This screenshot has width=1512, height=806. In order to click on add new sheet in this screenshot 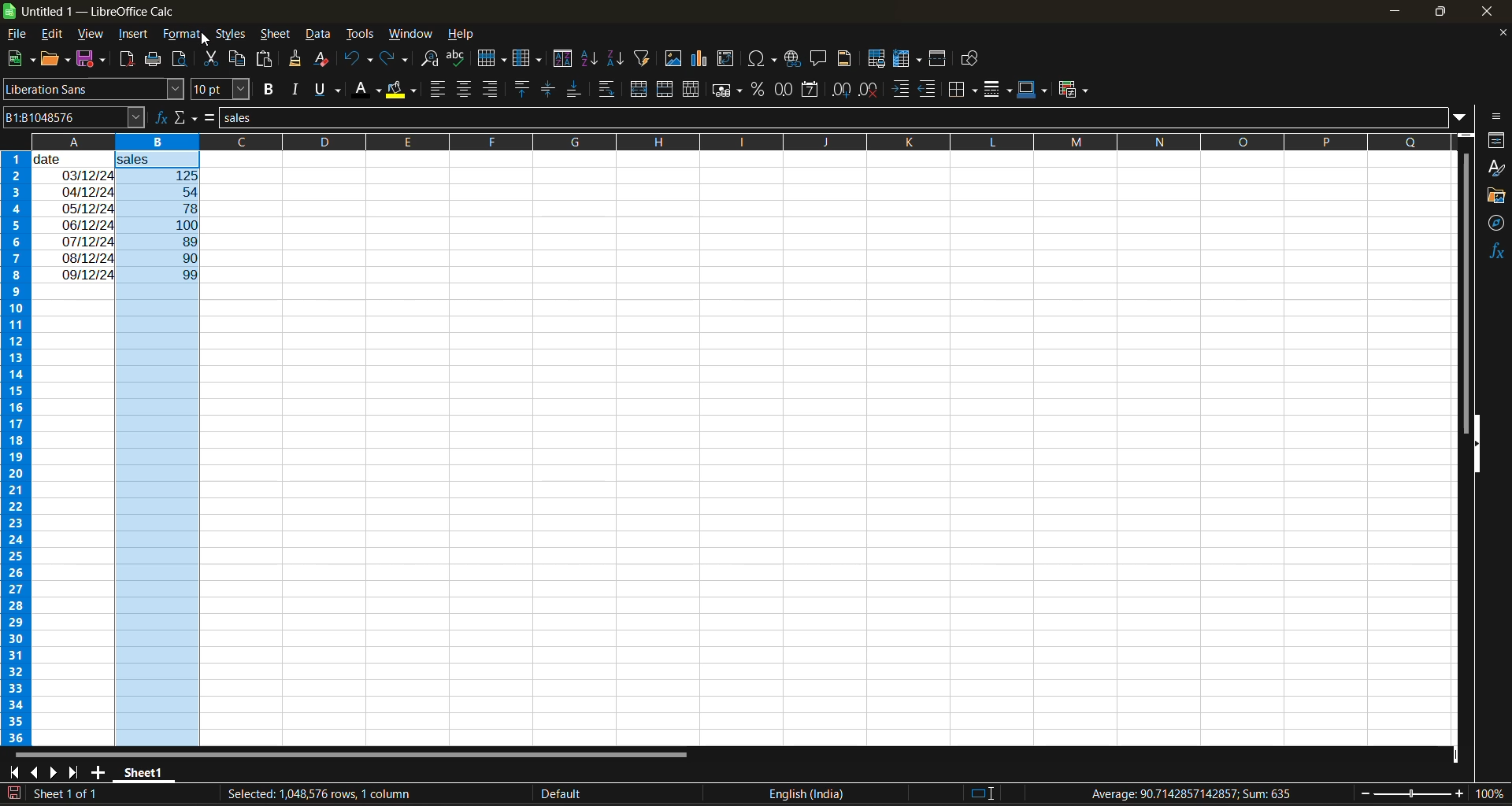, I will do `click(99, 771)`.